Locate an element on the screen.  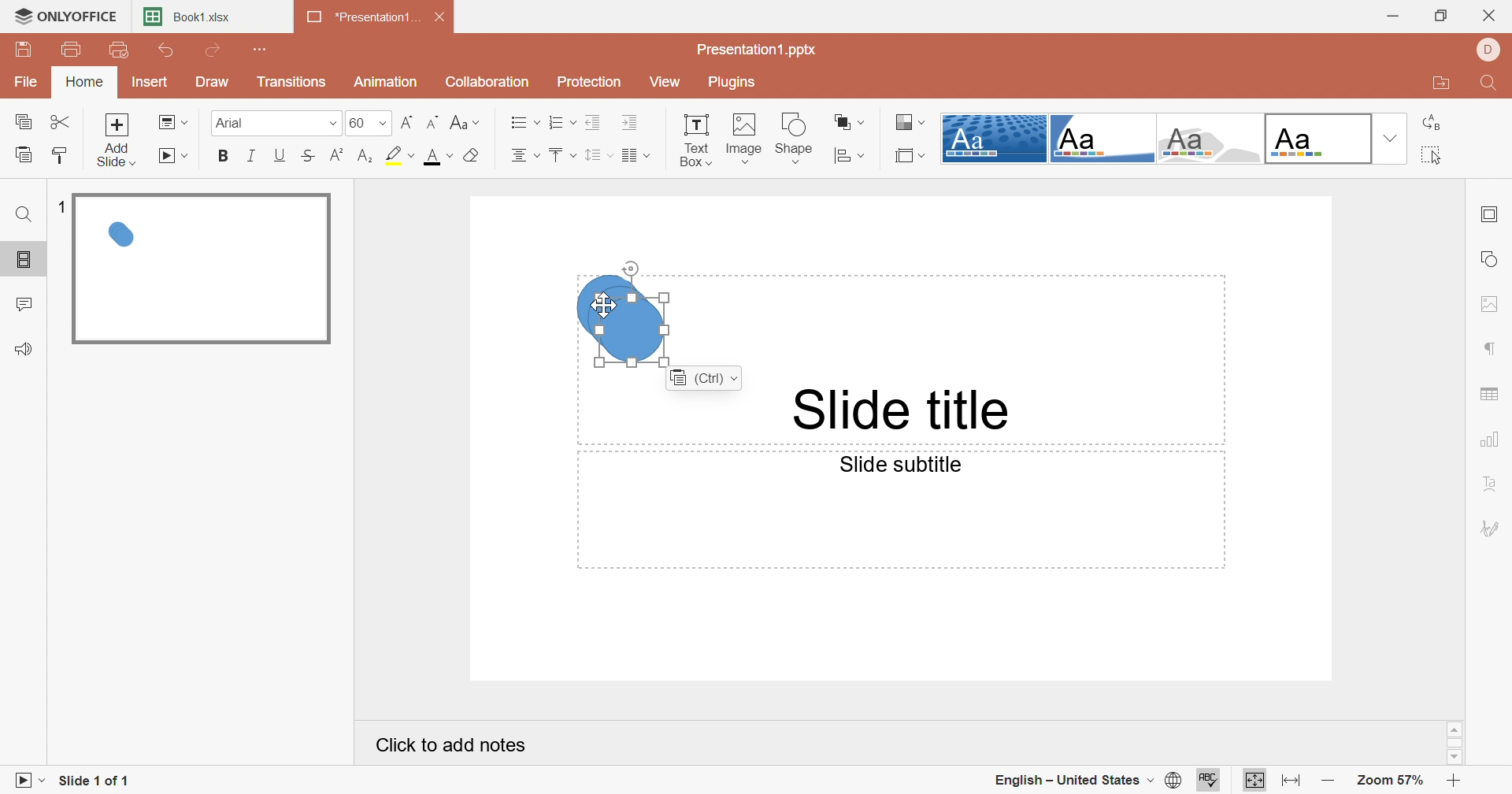
Find is located at coordinates (24, 217).